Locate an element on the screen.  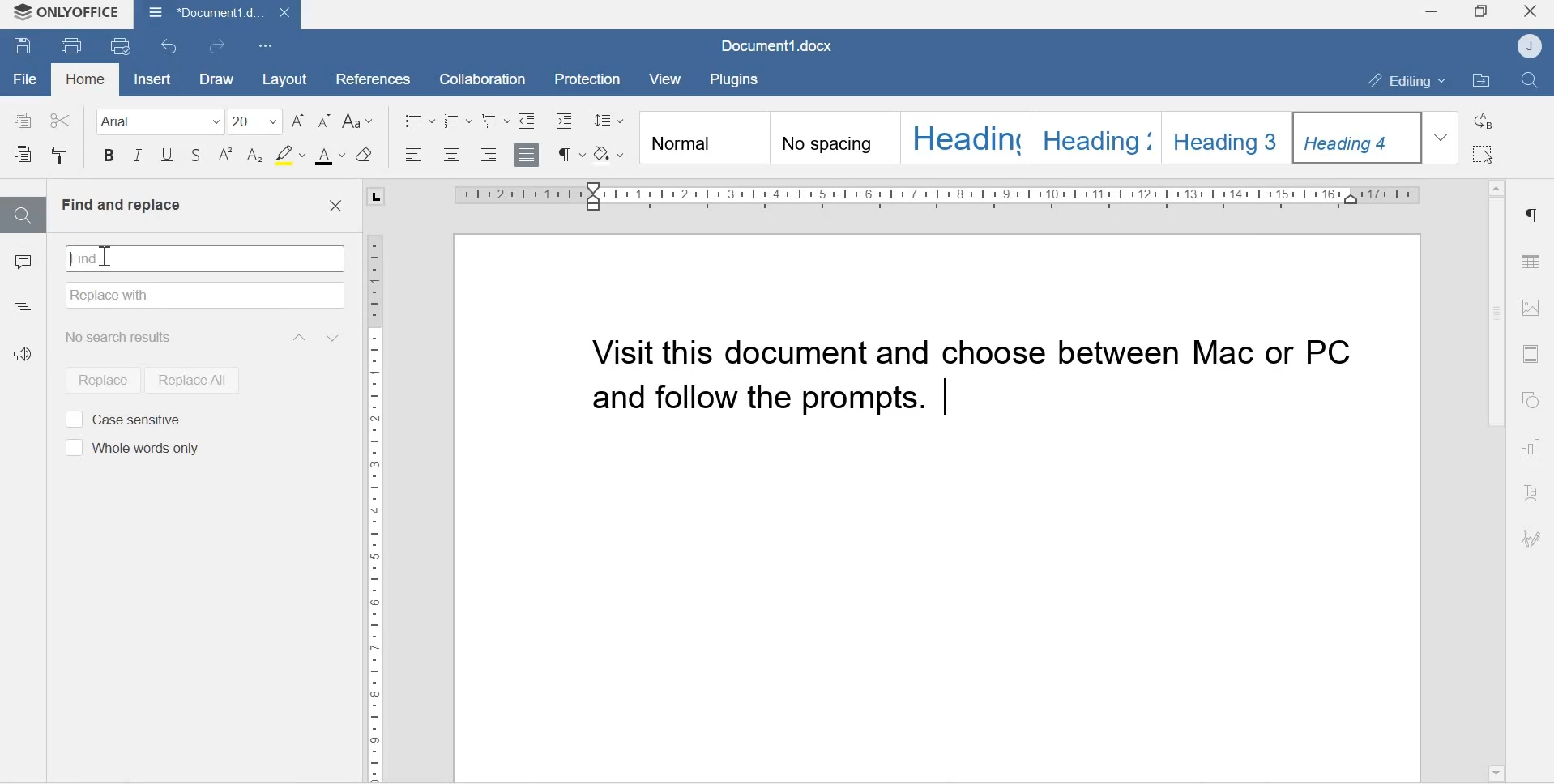
Heading 4 is located at coordinates (1359, 138).